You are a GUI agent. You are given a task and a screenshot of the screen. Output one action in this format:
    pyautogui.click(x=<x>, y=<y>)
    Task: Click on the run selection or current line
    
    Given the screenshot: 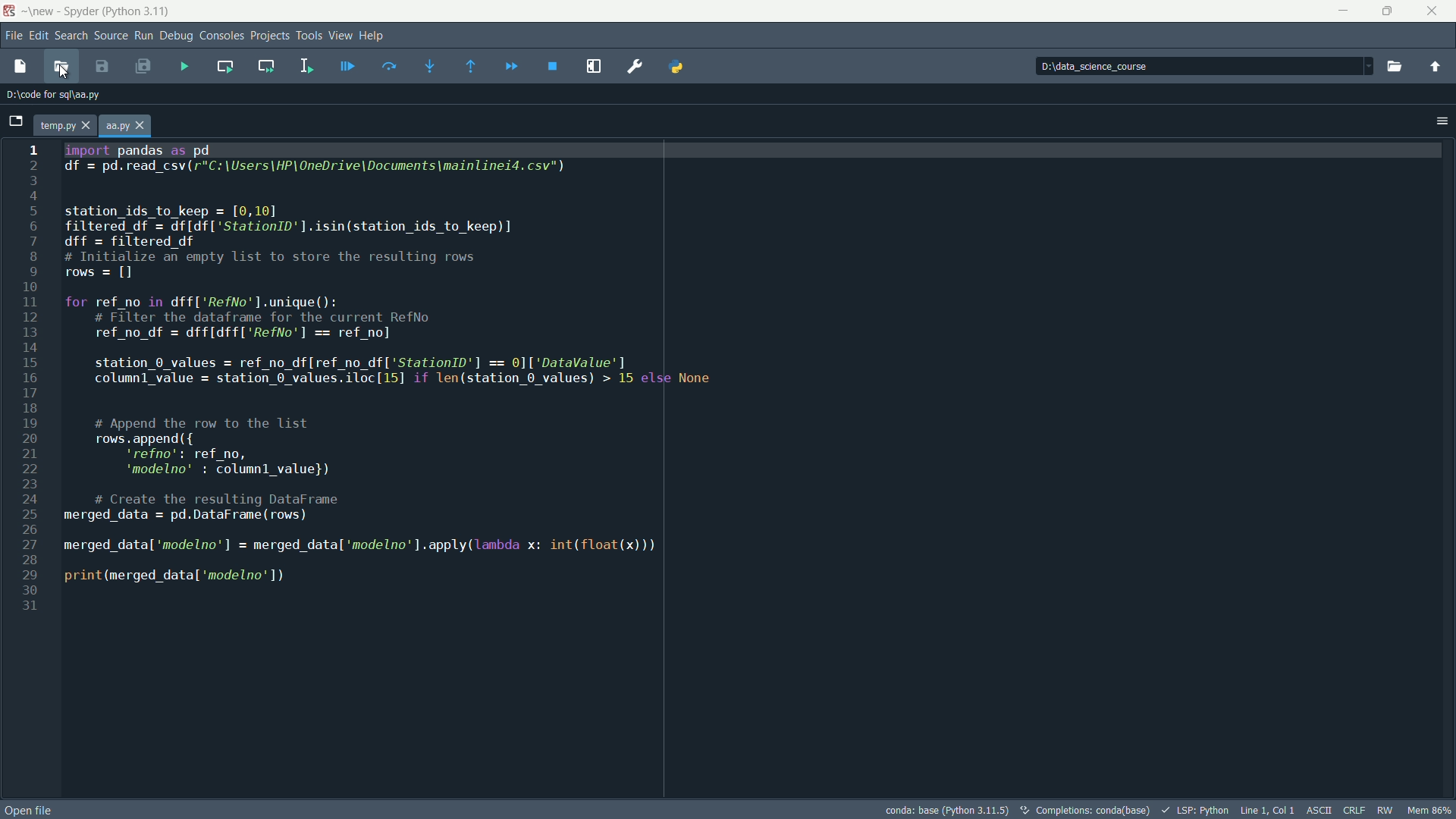 What is the action you would take?
    pyautogui.click(x=306, y=66)
    